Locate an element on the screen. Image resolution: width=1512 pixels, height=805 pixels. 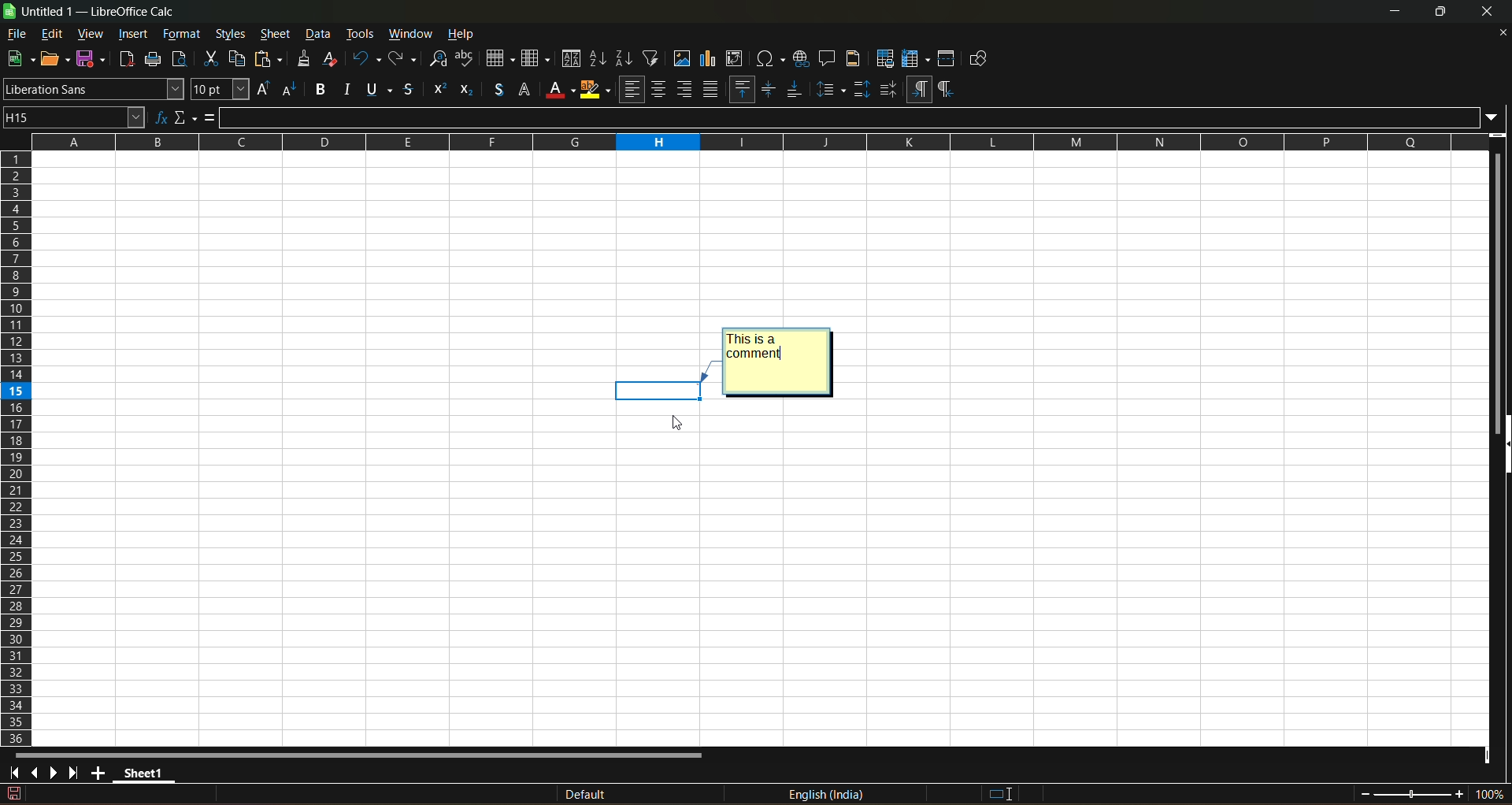
scroll to last sheet is located at coordinates (76, 772).